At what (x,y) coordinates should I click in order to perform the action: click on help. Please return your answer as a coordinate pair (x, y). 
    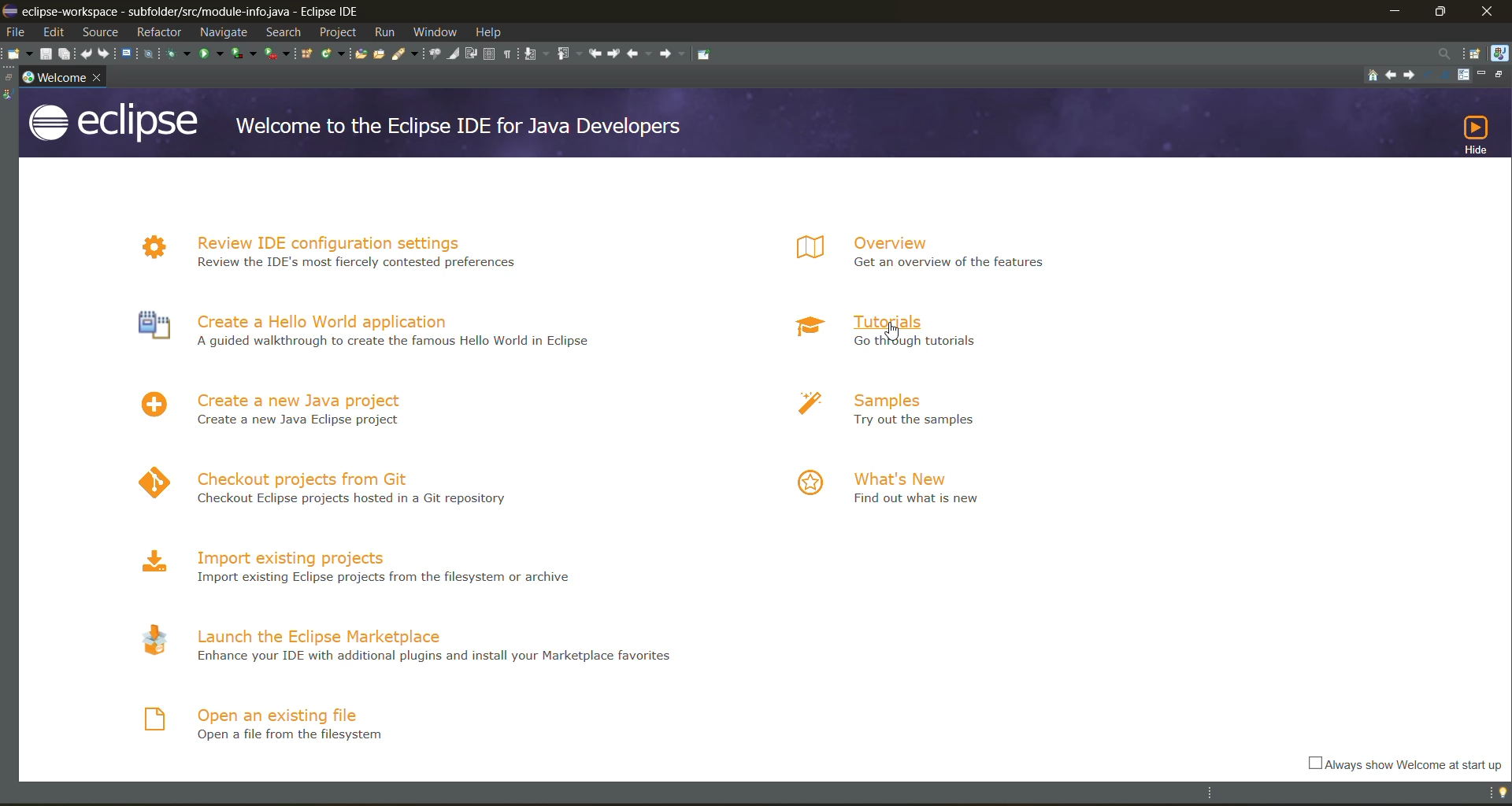
    Looking at the image, I should click on (494, 31).